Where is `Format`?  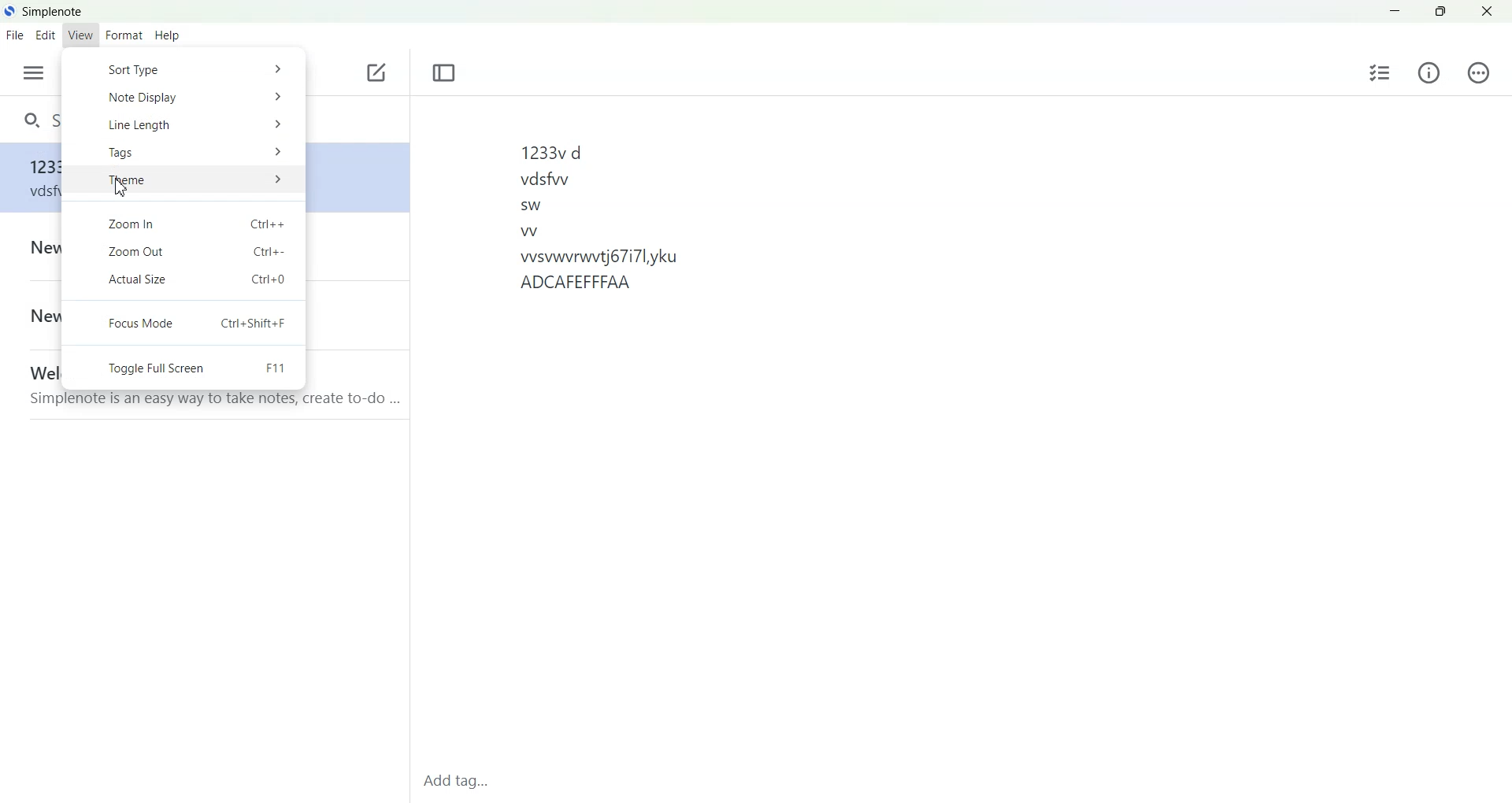
Format is located at coordinates (123, 36).